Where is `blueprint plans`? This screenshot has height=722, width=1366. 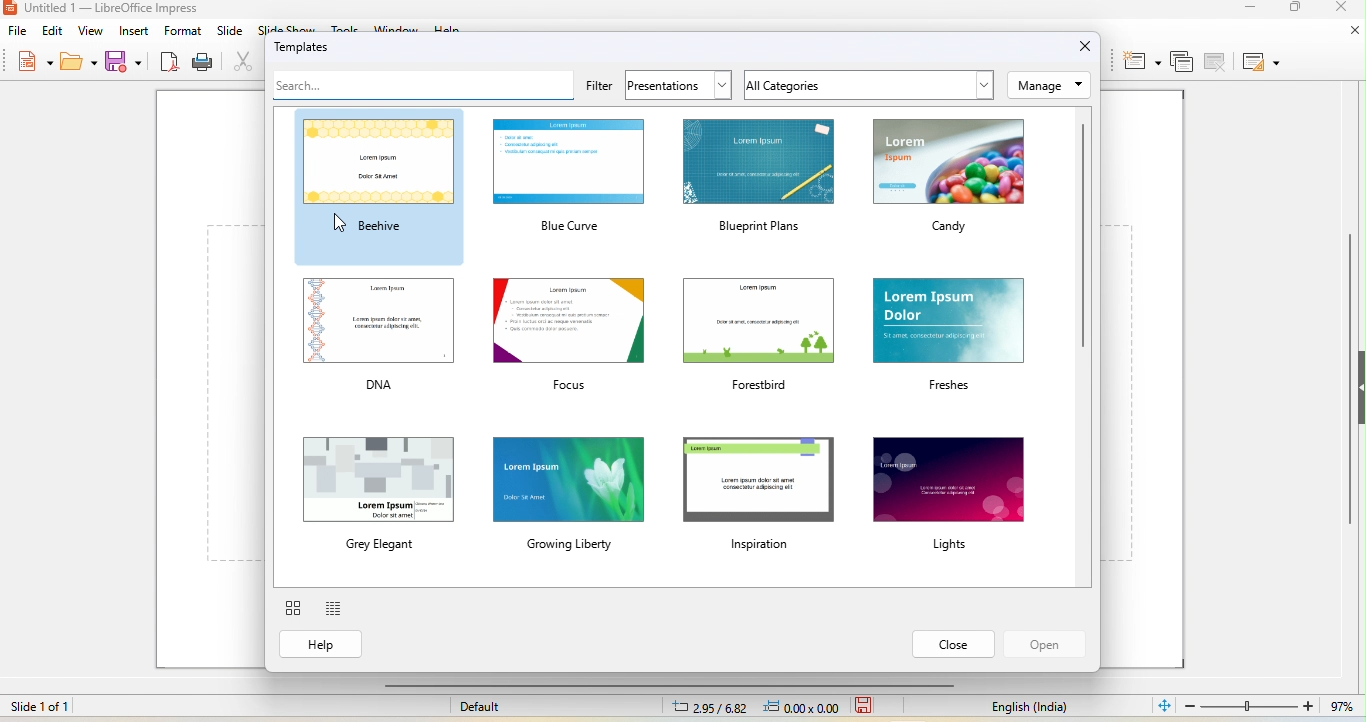 blueprint plans is located at coordinates (759, 179).